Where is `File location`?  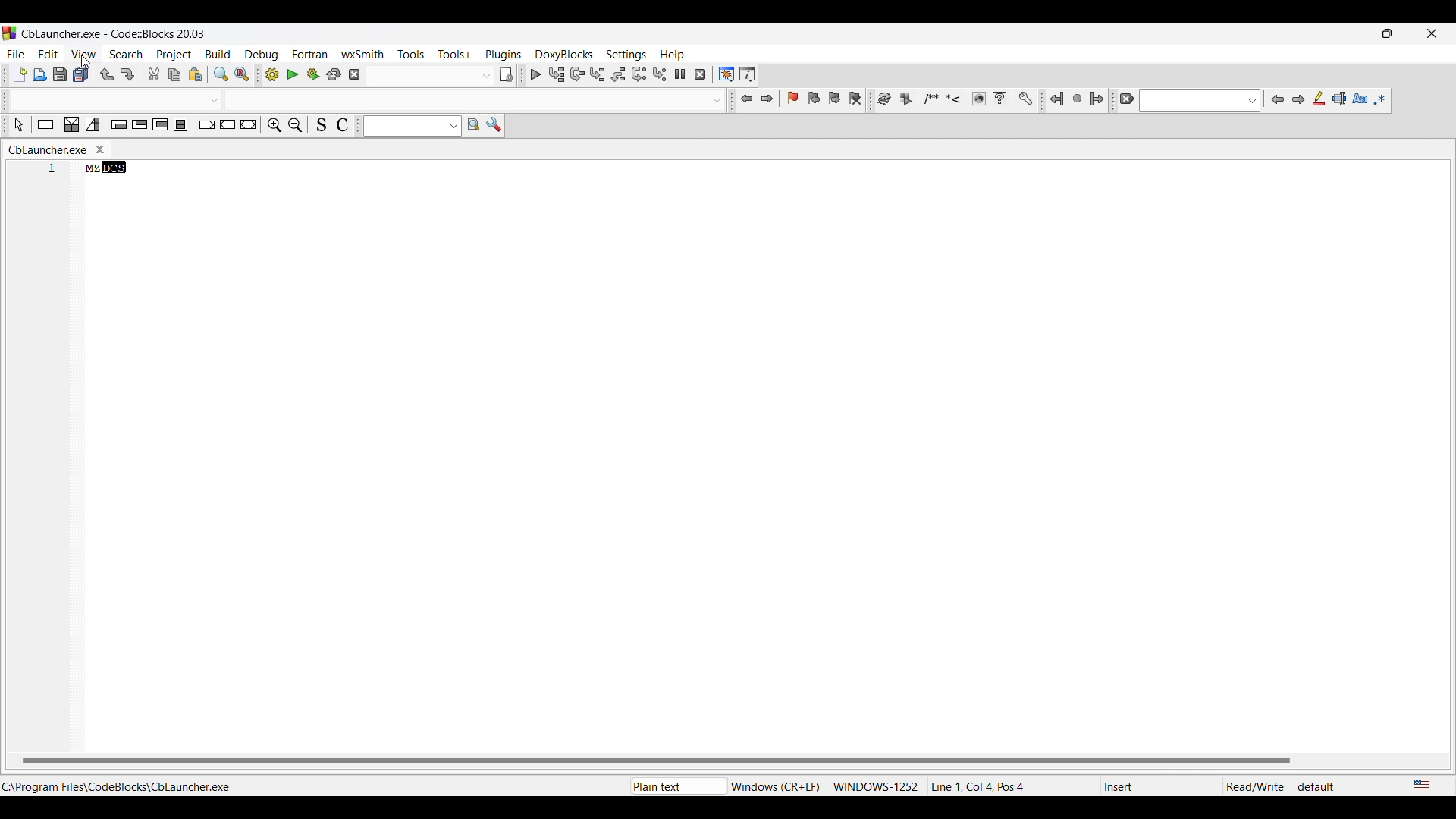
File location is located at coordinates (117, 787).